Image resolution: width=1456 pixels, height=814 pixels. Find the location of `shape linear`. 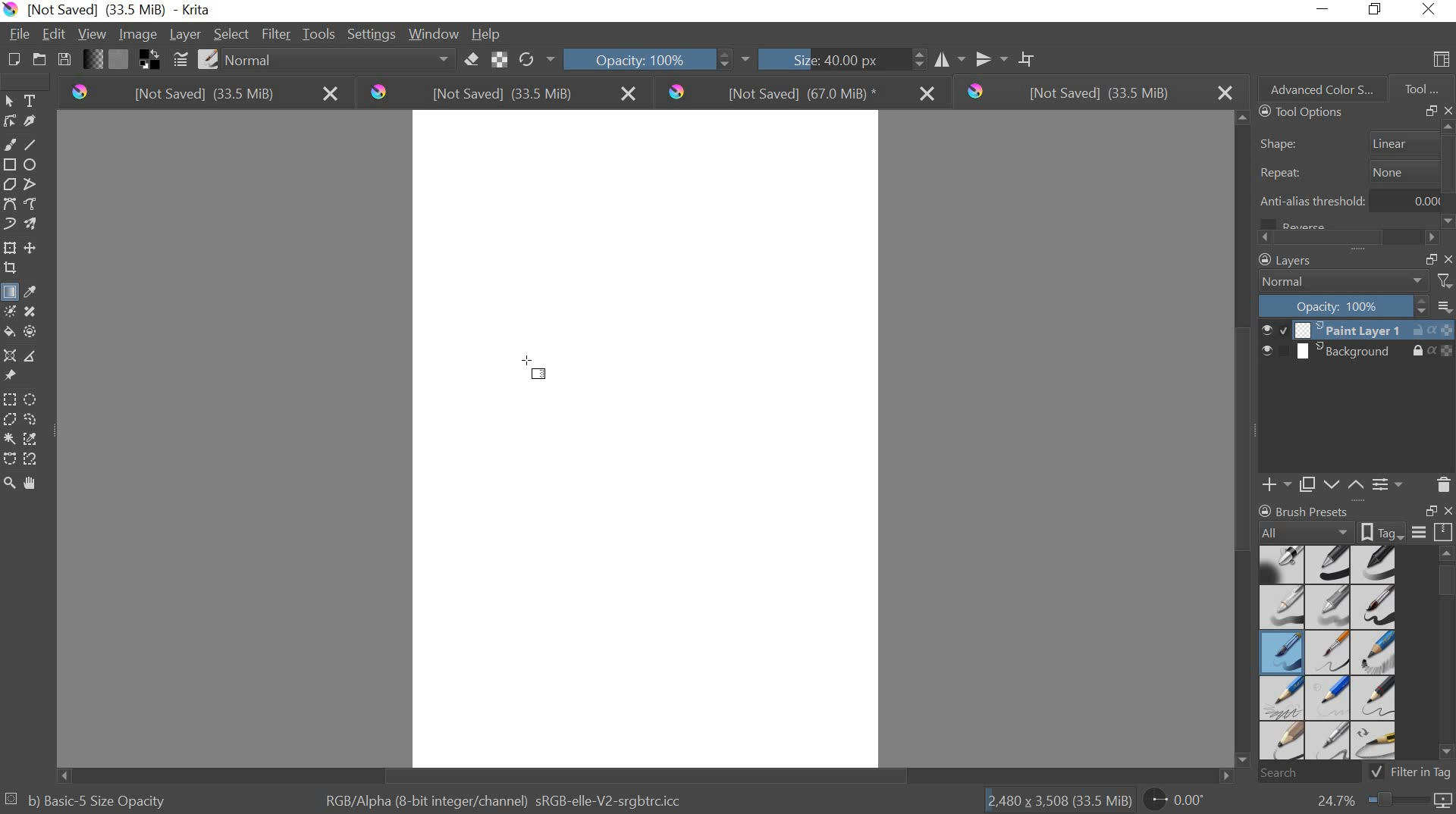

shape linear is located at coordinates (1354, 141).